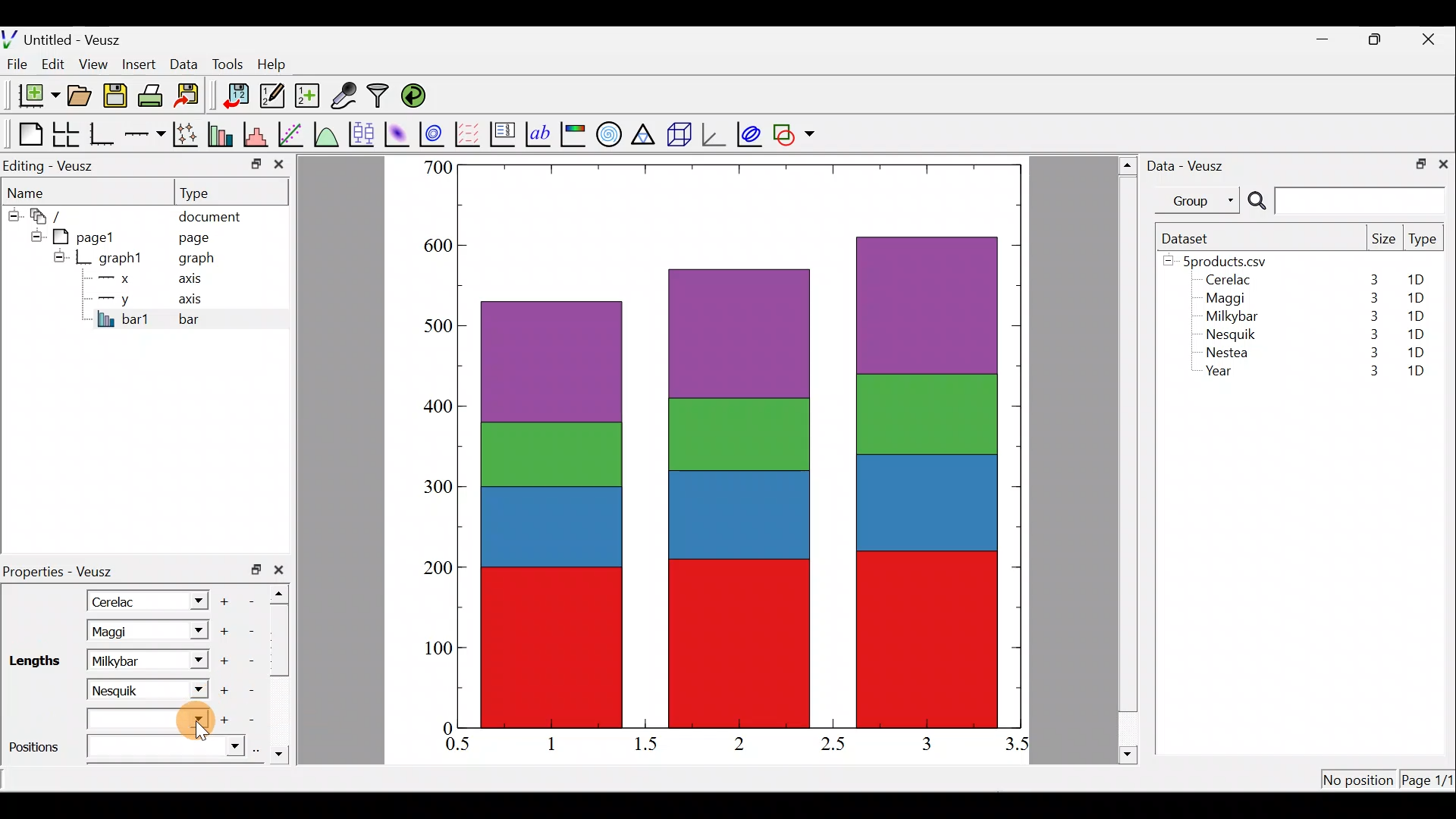 Image resolution: width=1456 pixels, height=819 pixels. I want to click on 1, so click(563, 743).